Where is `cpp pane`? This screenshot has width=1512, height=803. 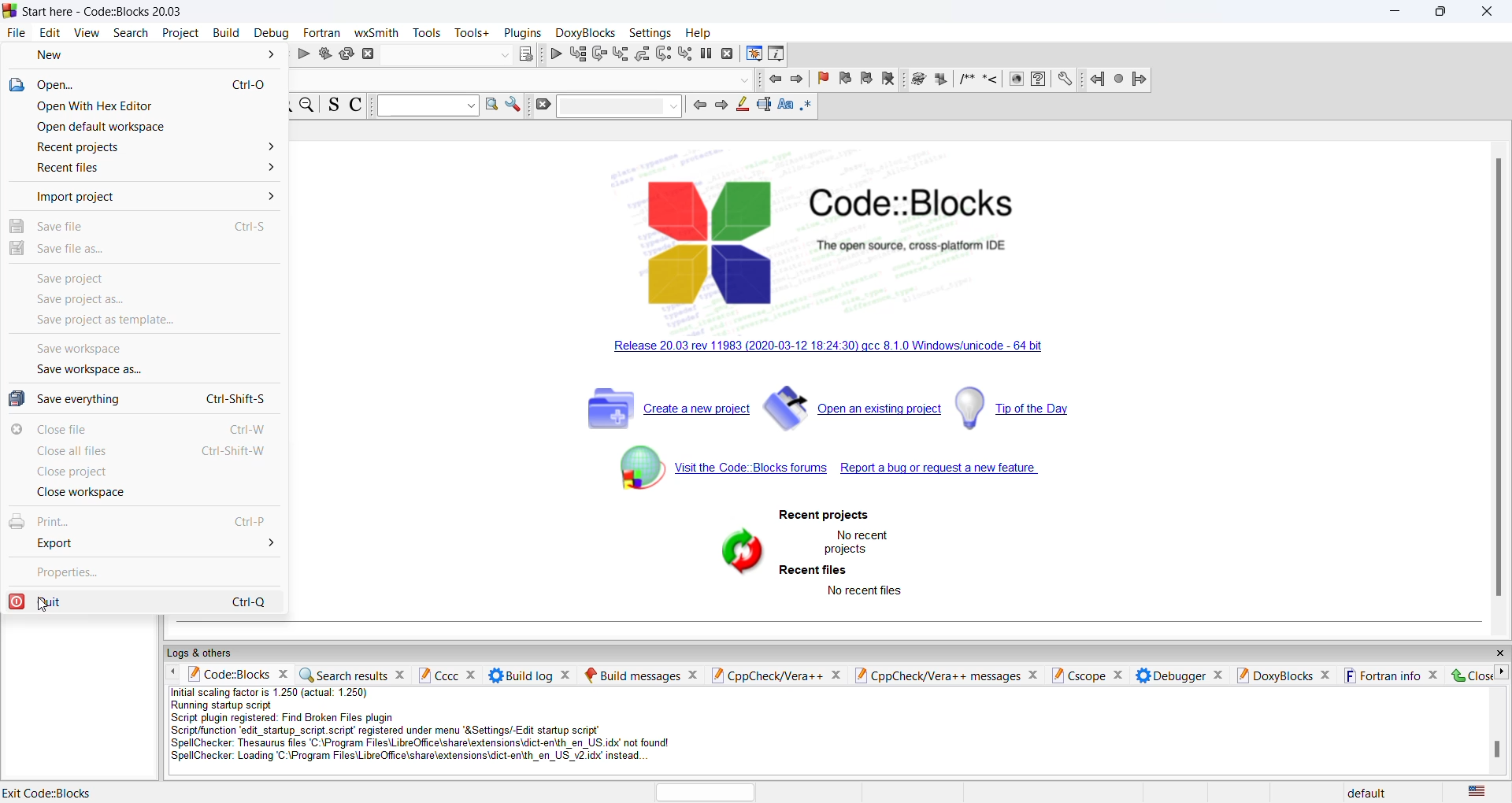 cpp pane is located at coordinates (769, 675).